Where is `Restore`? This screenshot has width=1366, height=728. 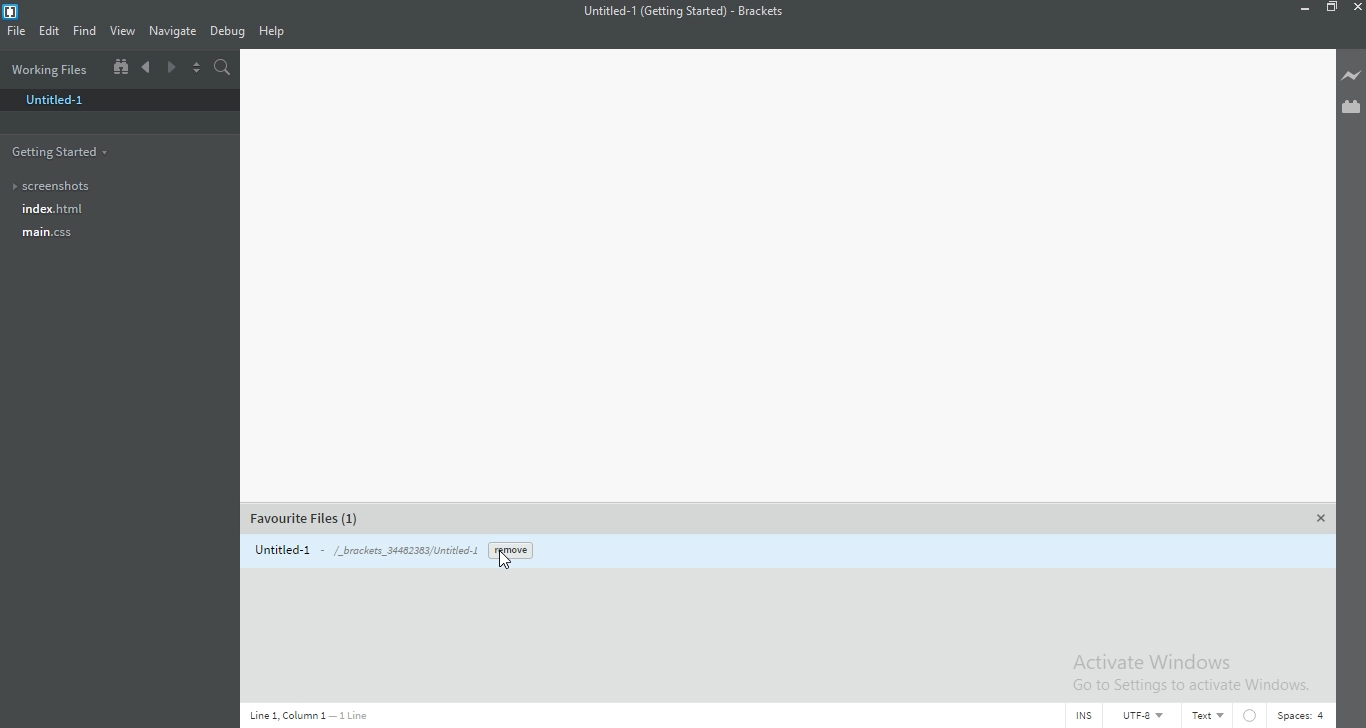
Restore is located at coordinates (1335, 10).